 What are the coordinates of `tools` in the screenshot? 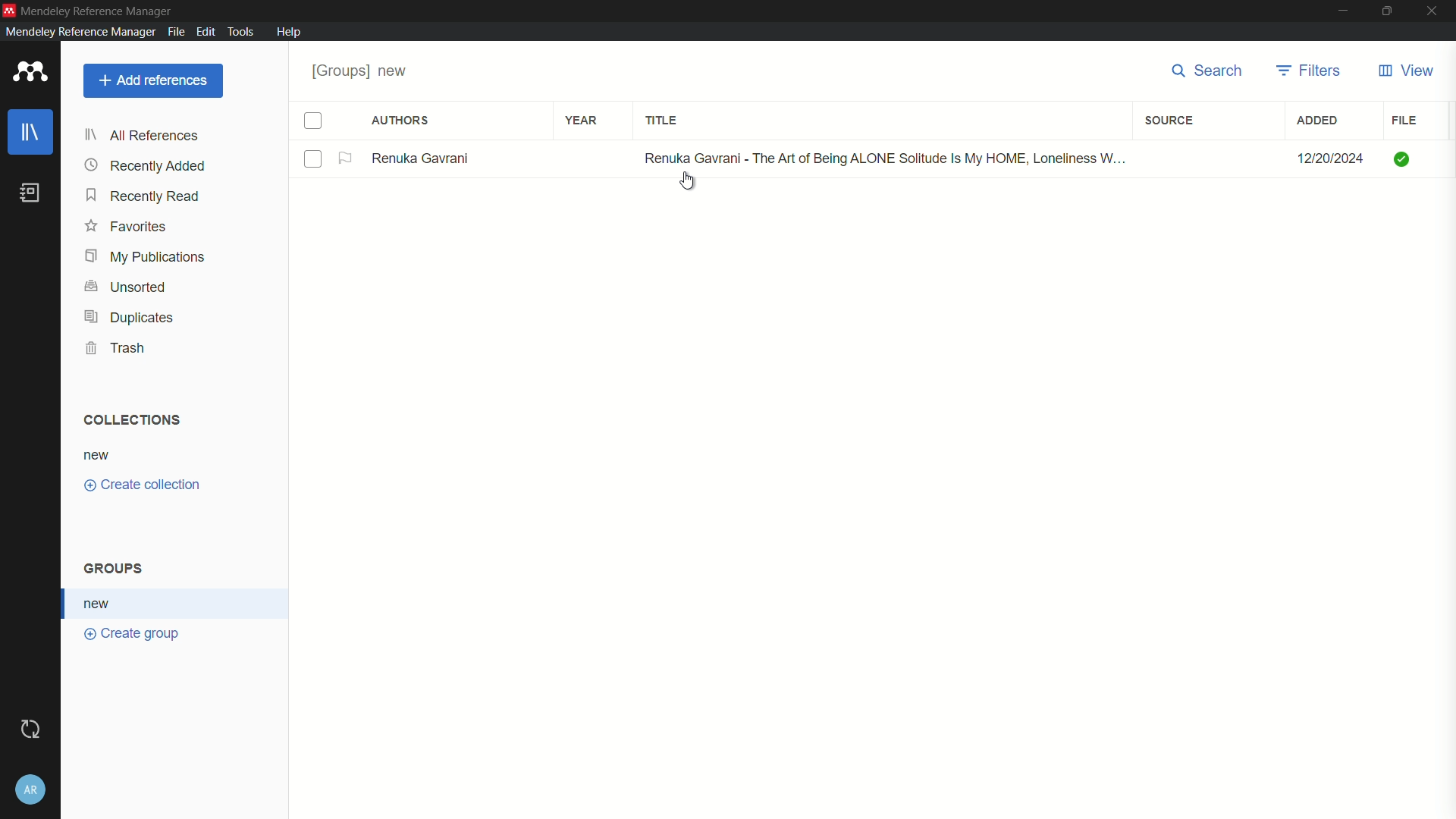 It's located at (241, 33).